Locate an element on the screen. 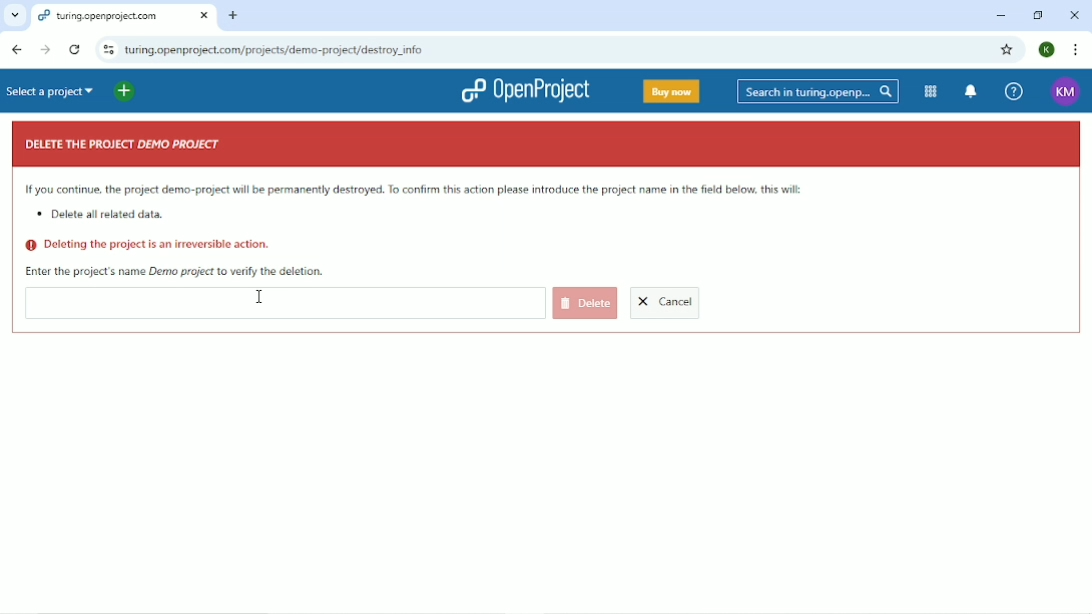 This screenshot has height=614, width=1092. Cursor is located at coordinates (261, 298).